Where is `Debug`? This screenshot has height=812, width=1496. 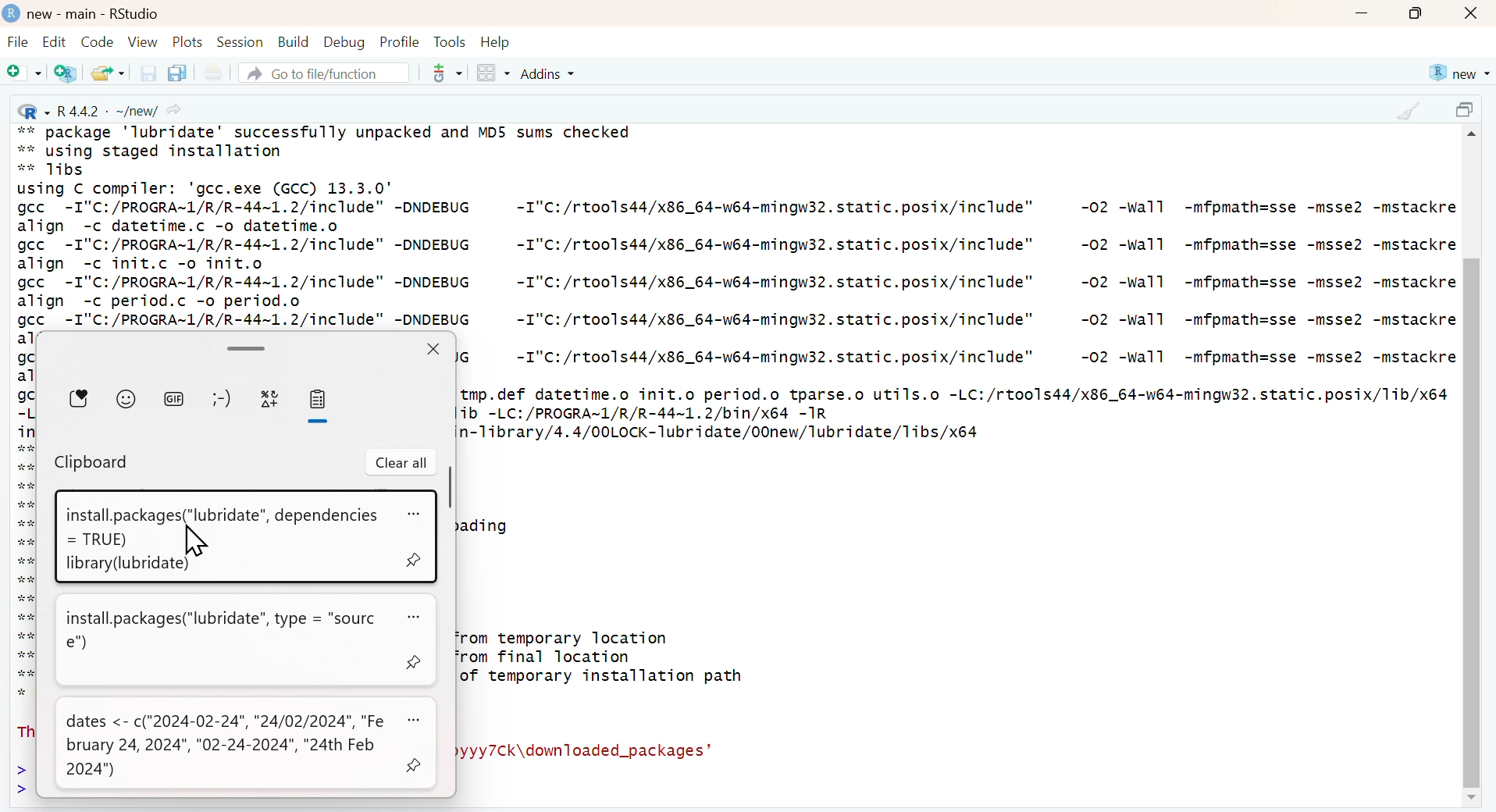 Debug is located at coordinates (343, 41).